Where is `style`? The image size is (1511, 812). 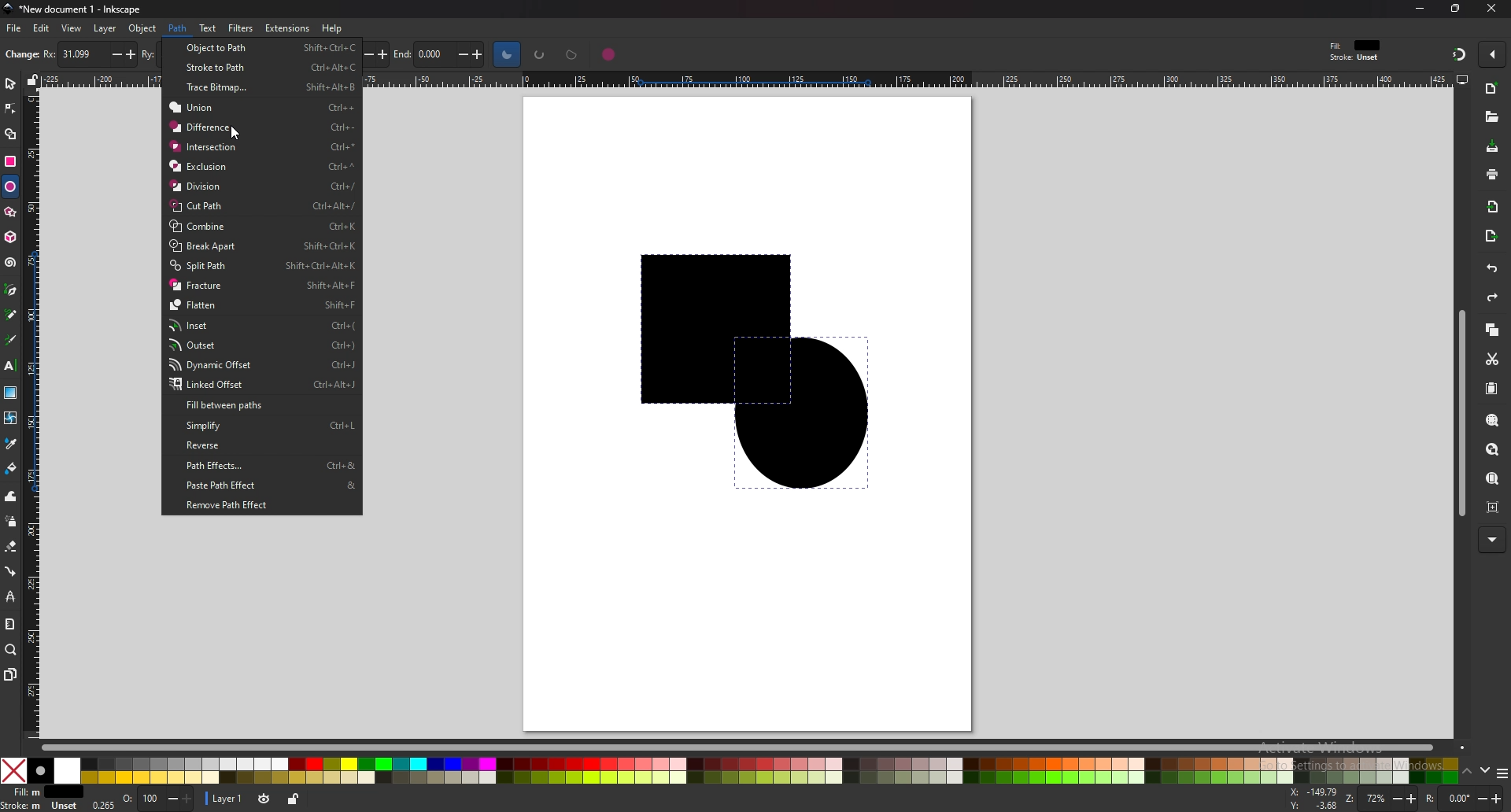
style is located at coordinates (1358, 50).